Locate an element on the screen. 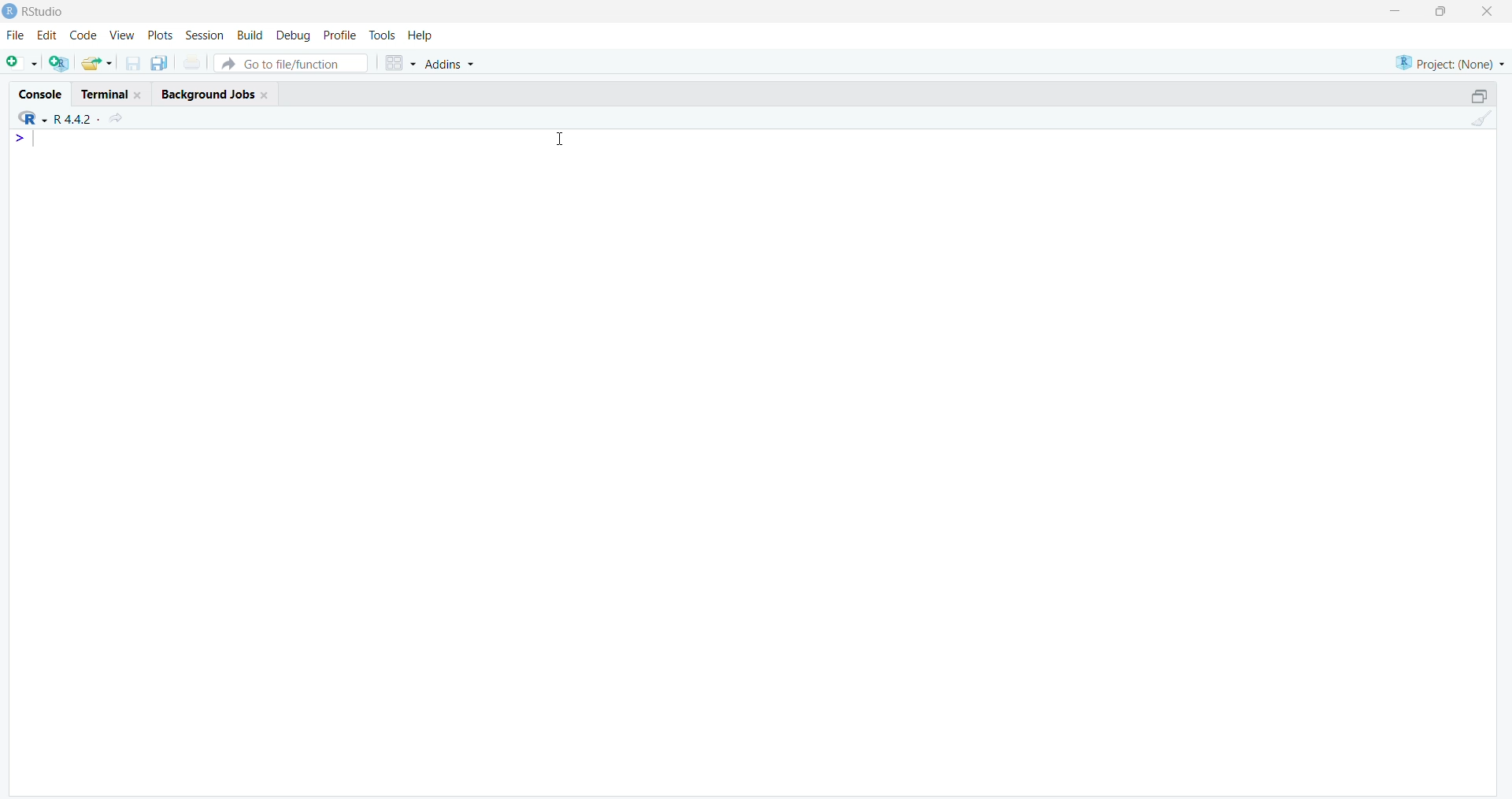  Workspace panes is located at coordinates (400, 61).